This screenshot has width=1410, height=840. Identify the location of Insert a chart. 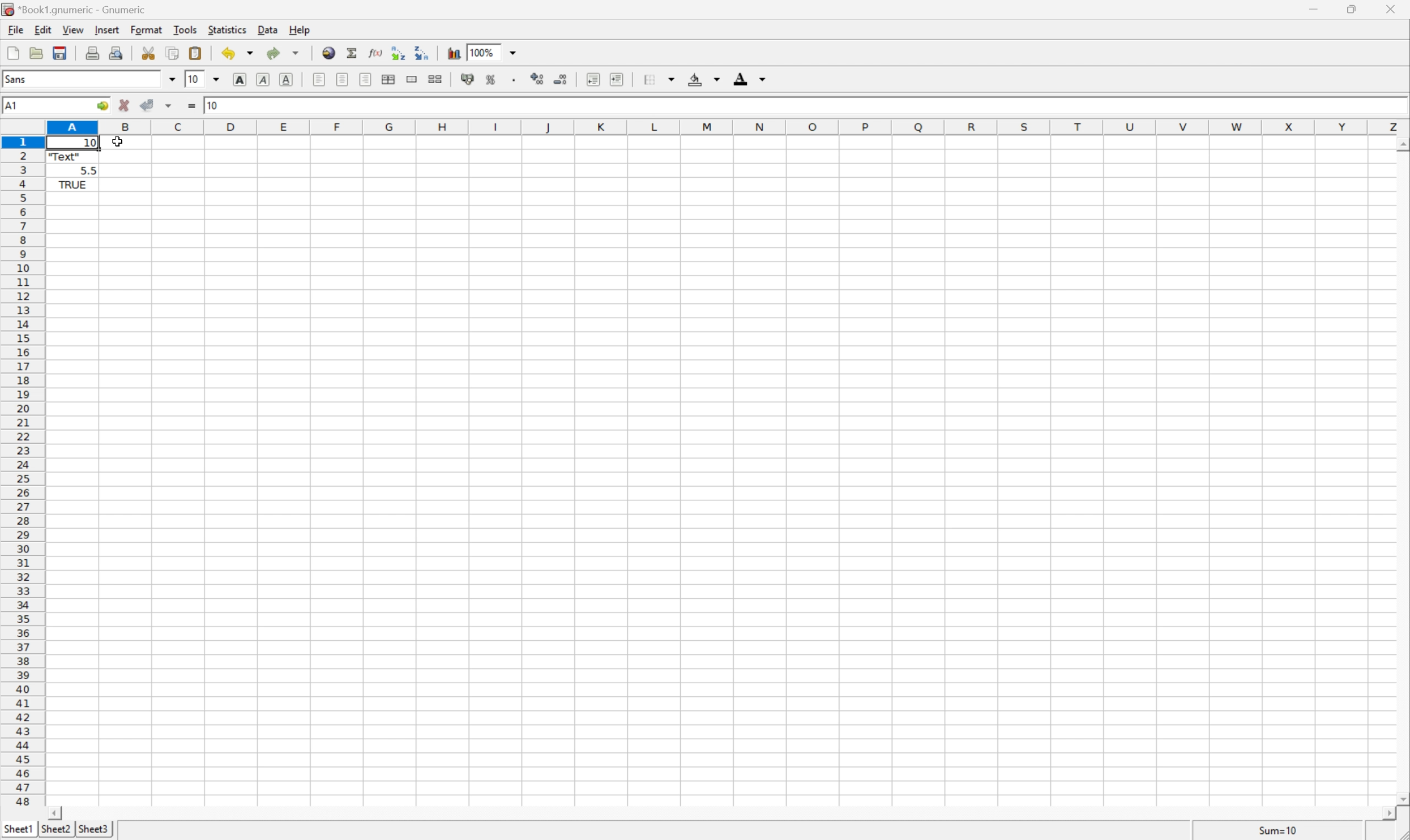
(454, 52).